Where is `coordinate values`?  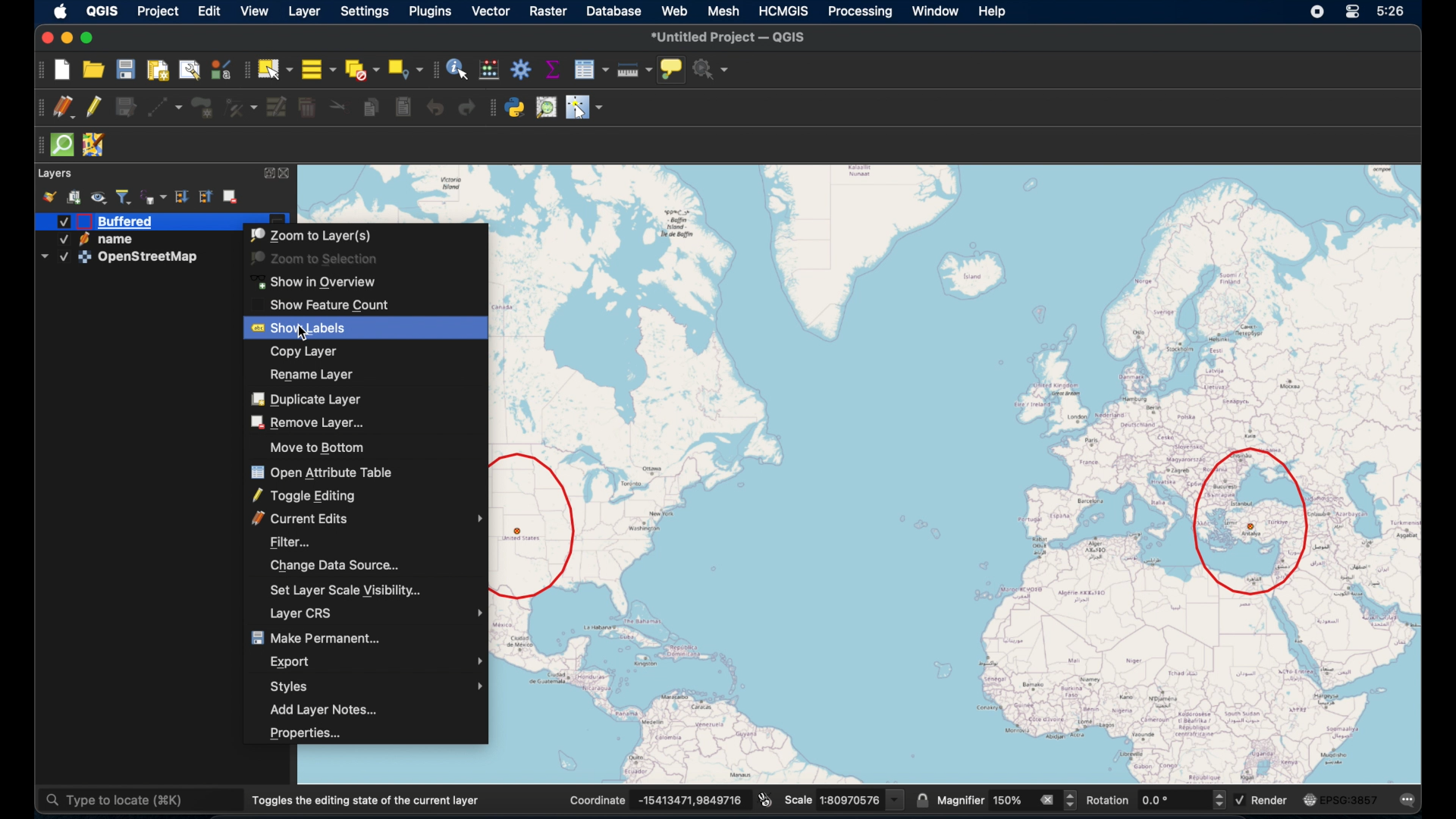 coordinate values is located at coordinates (692, 799).